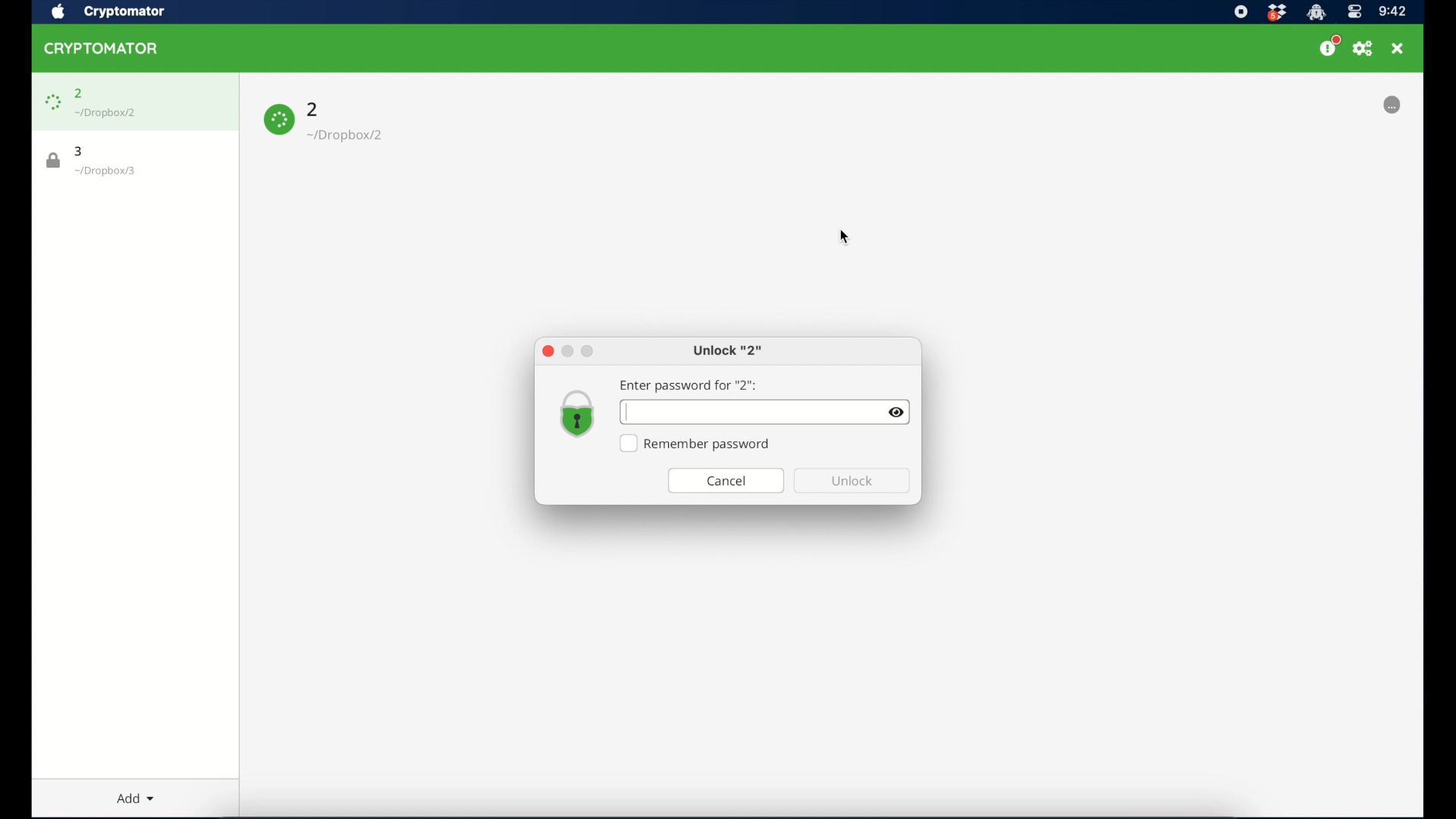 The height and width of the screenshot is (819, 1456). Describe the element at coordinates (1398, 49) in the screenshot. I see `close` at that location.